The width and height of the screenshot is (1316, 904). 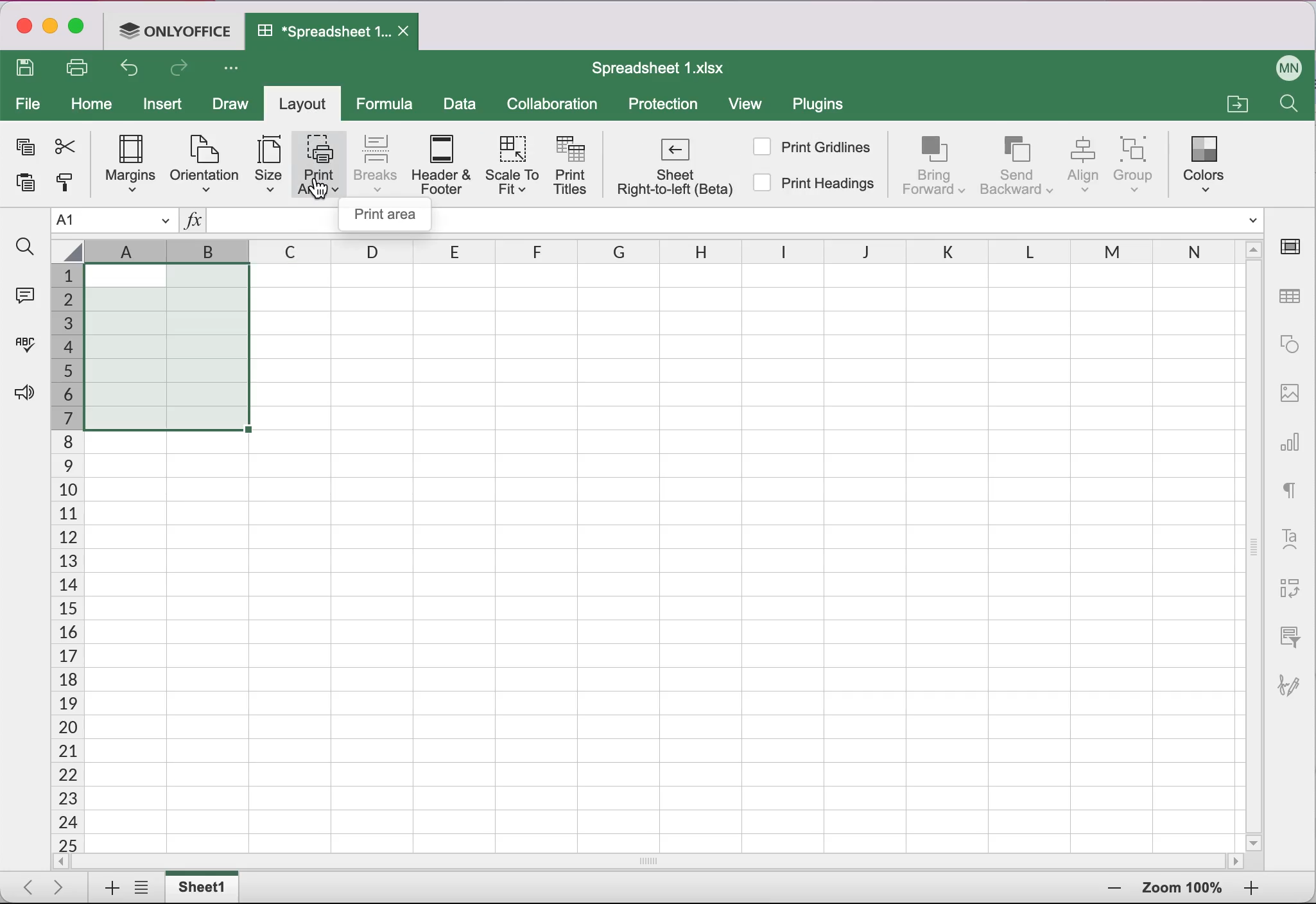 What do you see at coordinates (21, 394) in the screenshot?
I see `feedback and support` at bounding box center [21, 394].